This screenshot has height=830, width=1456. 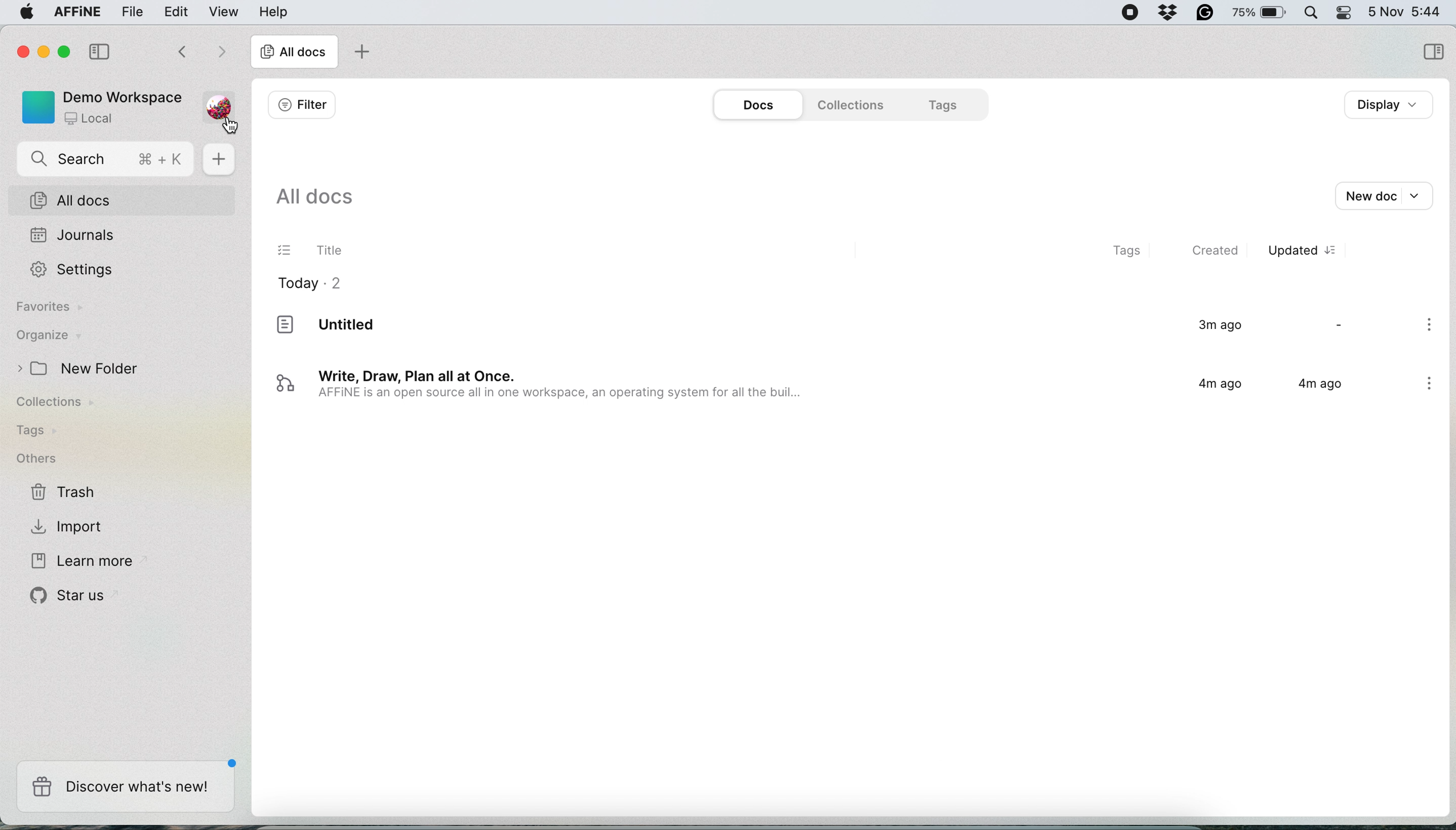 What do you see at coordinates (71, 595) in the screenshot?
I see `star us` at bounding box center [71, 595].